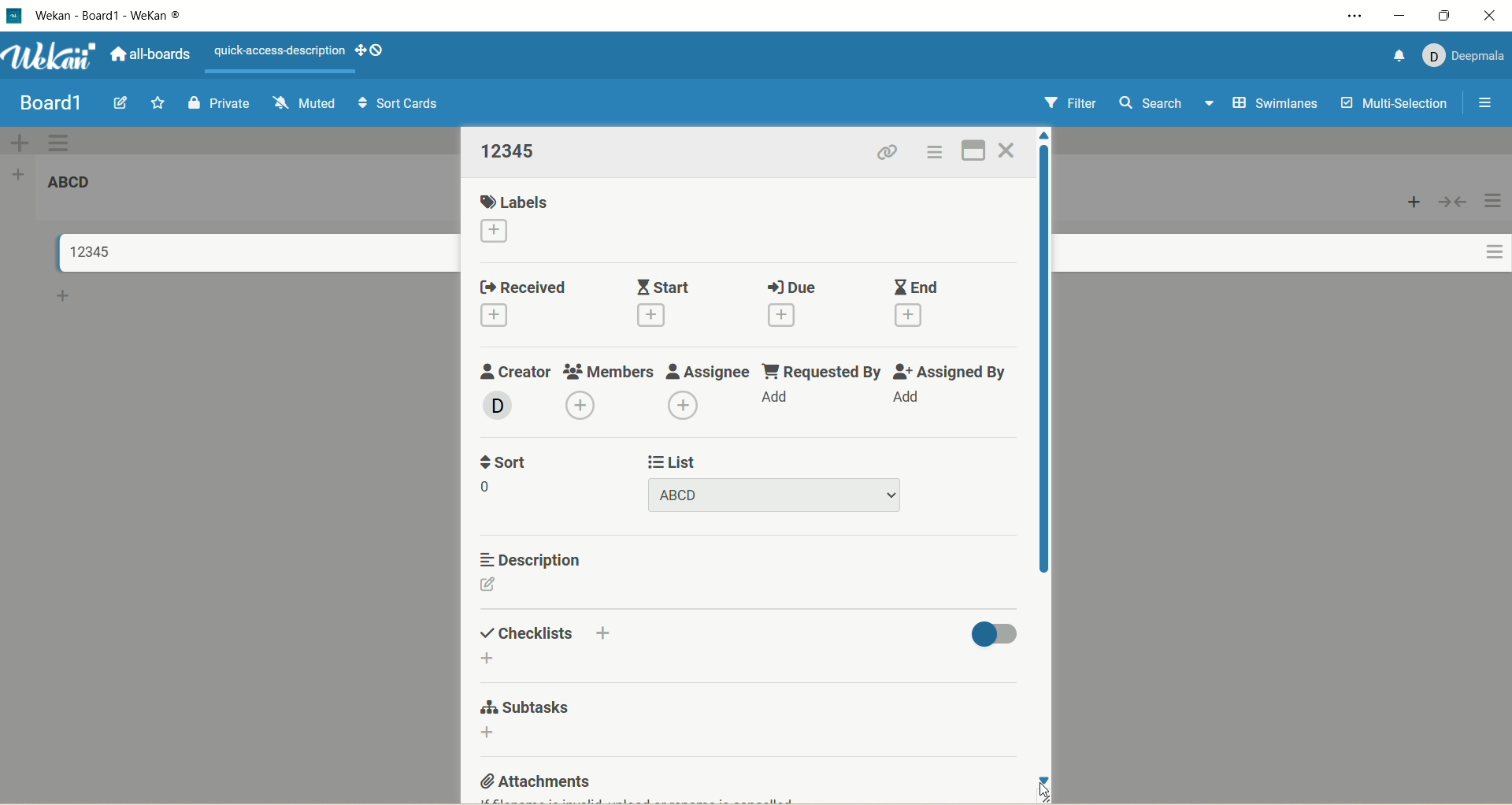 Image resolution: width=1512 pixels, height=805 pixels. What do you see at coordinates (993, 632) in the screenshot?
I see `toggle button` at bounding box center [993, 632].